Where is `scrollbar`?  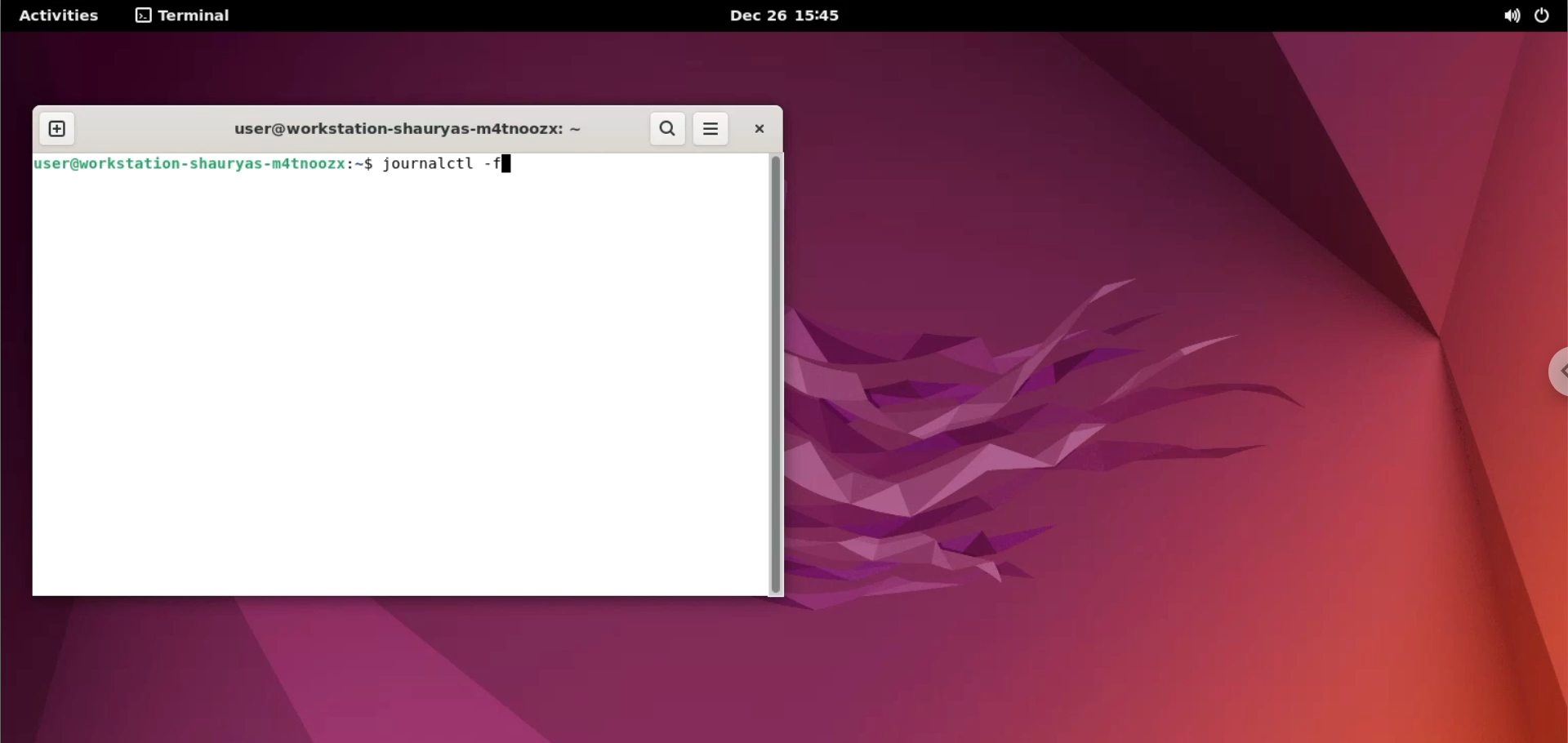
scrollbar is located at coordinates (777, 376).